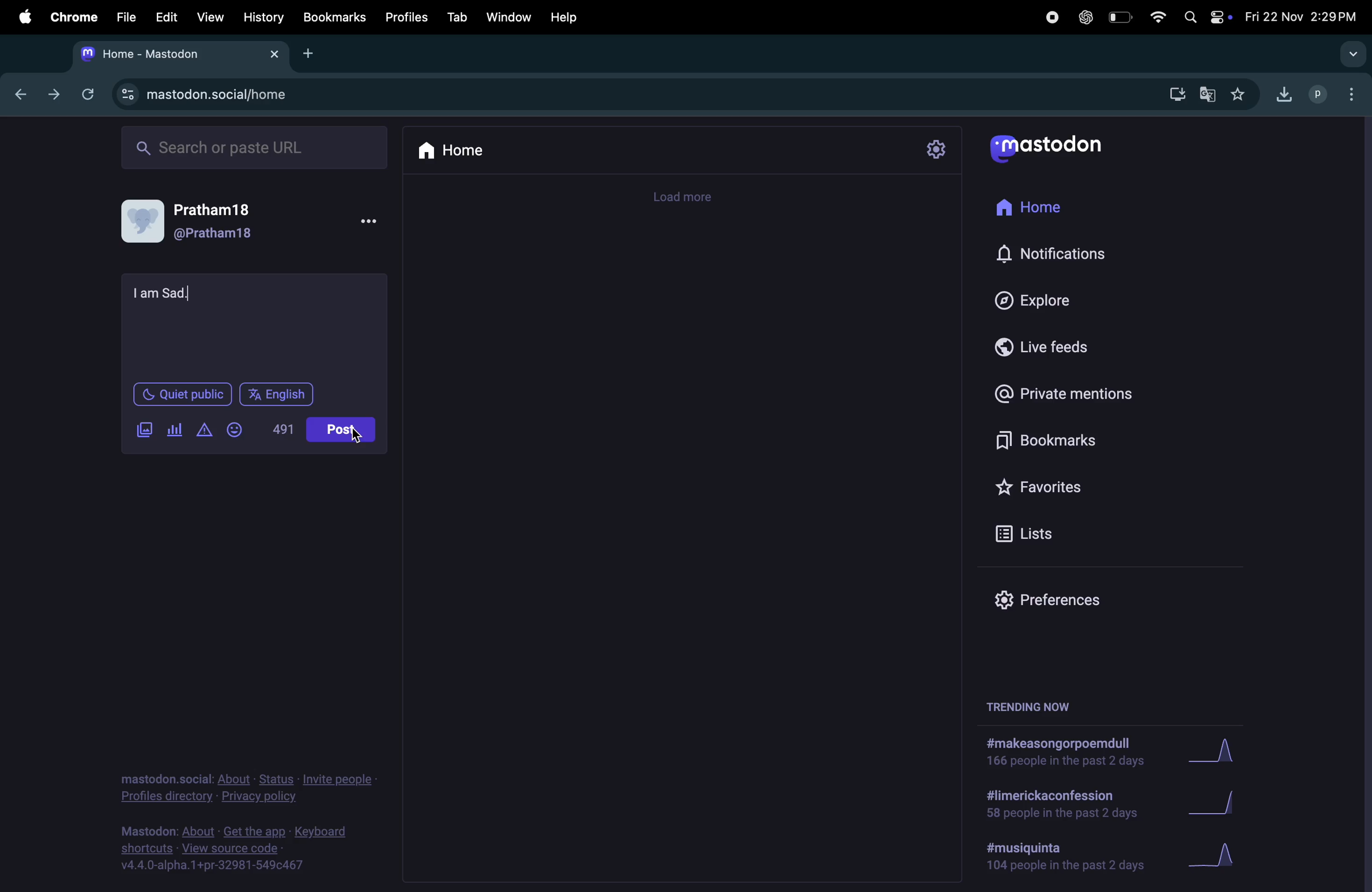 Image resolution: width=1372 pixels, height=892 pixels. What do you see at coordinates (1048, 205) in the screenshot?
I see `home` at bounding box center [1048, 205].